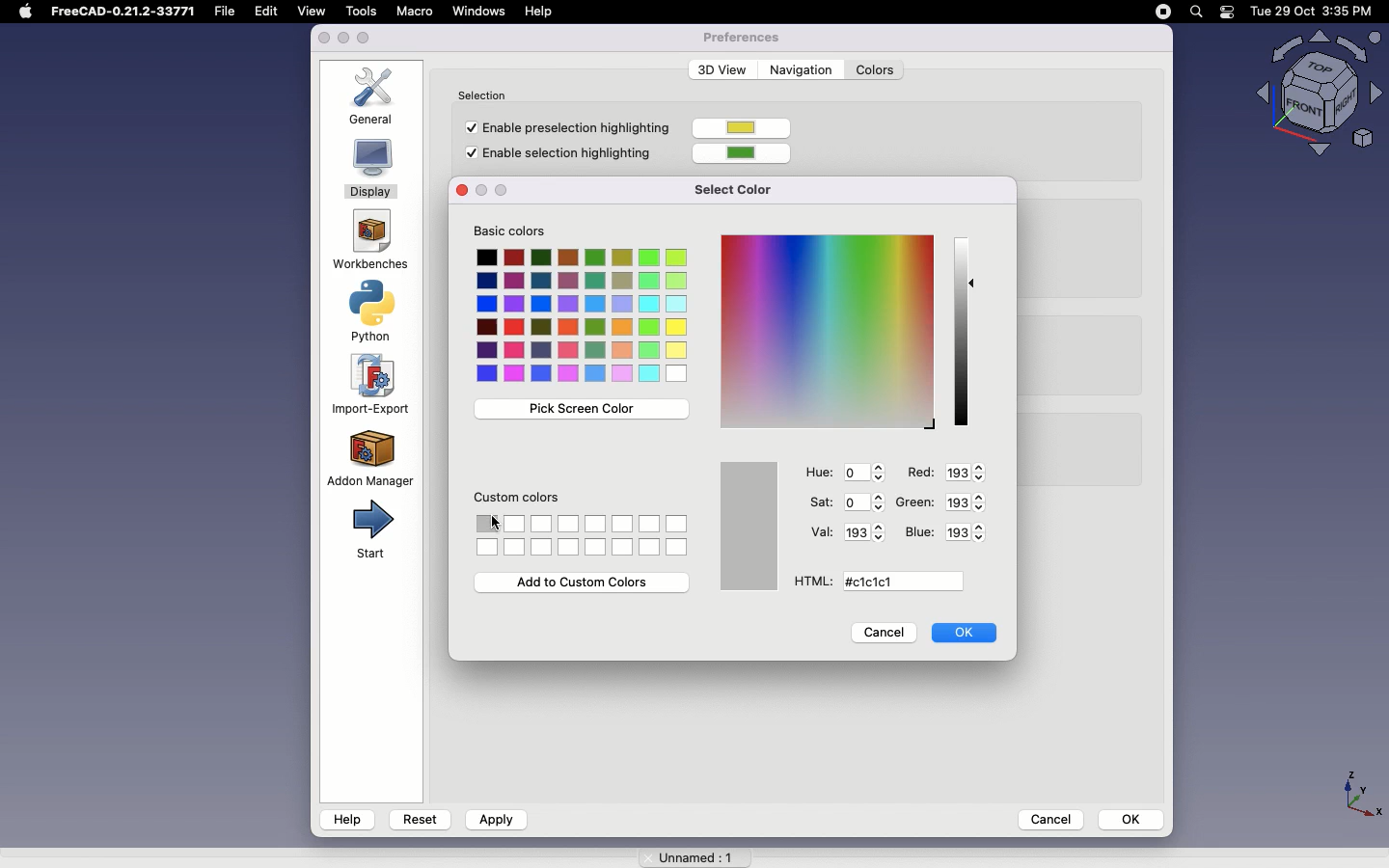 Image resolution: width=1389 pixels, height=868 pixels. What do you see at coordinates (584, 316) in the screenshot?
I see `Colors` at bounding box center [584, 316].